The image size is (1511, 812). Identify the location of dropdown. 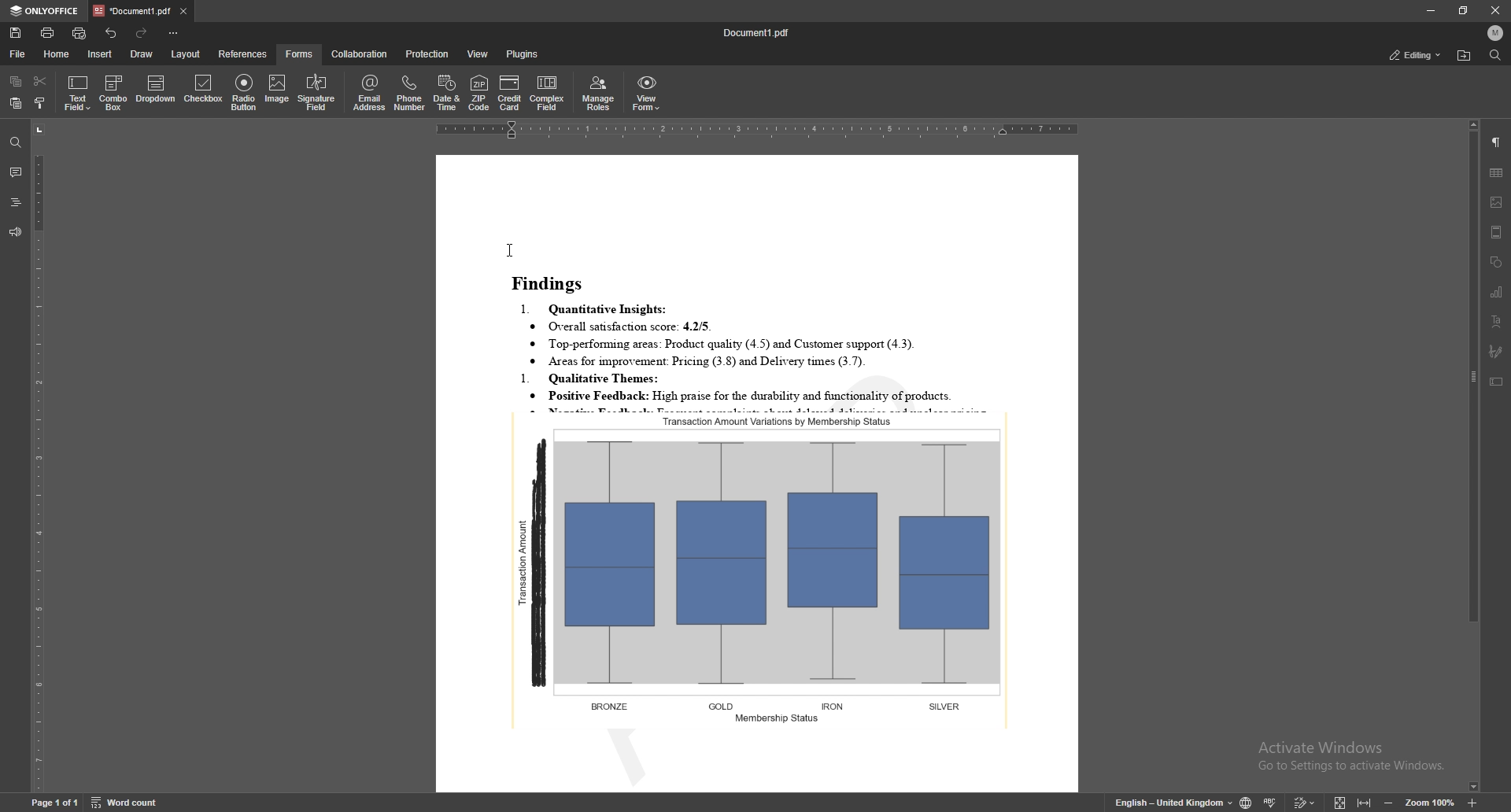
(157, 91).